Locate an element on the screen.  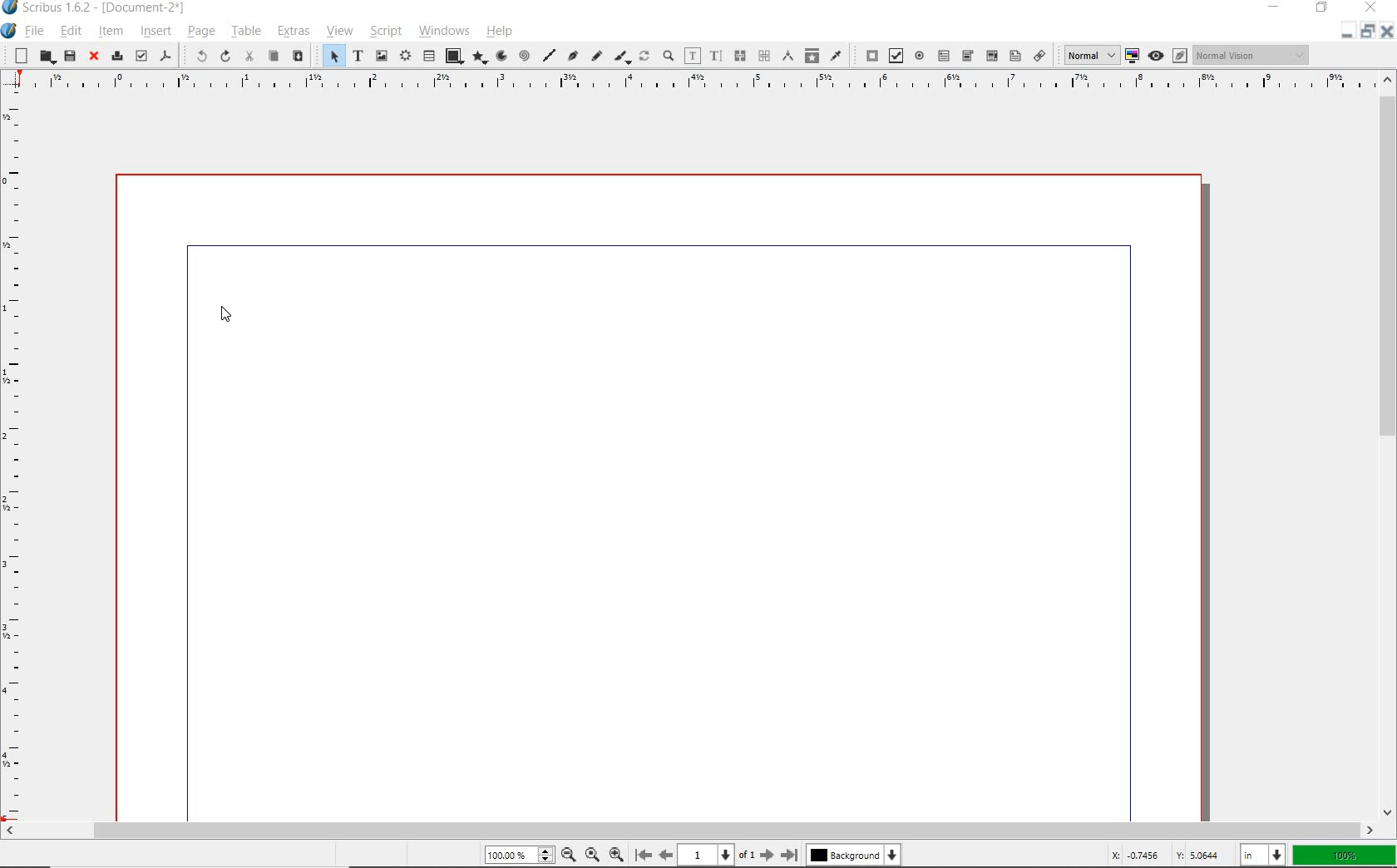
windows is located at coordinates (445, 32).